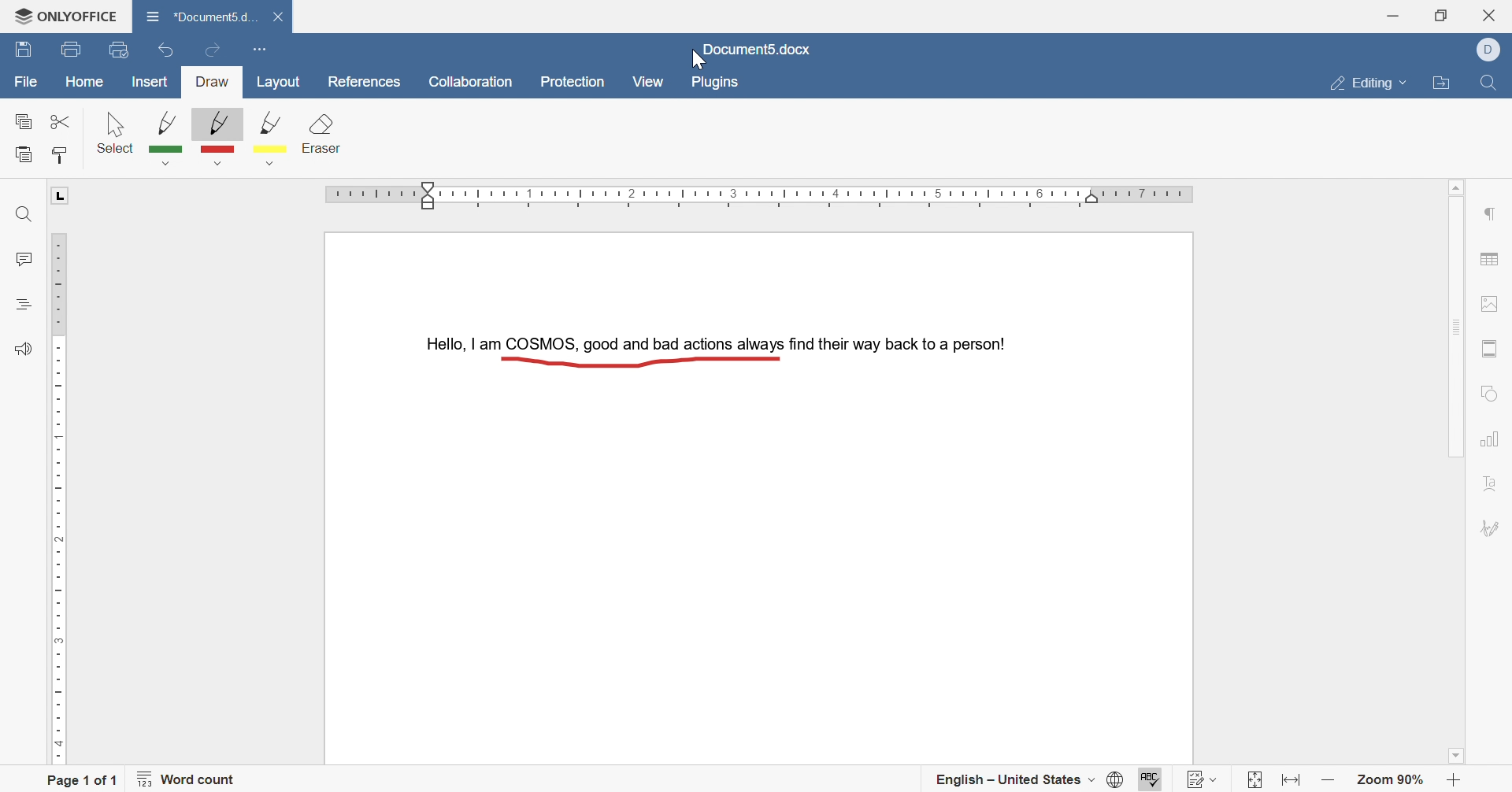 The image size is (1512, 792). I want to click on zoom out, so click(1329, 781).